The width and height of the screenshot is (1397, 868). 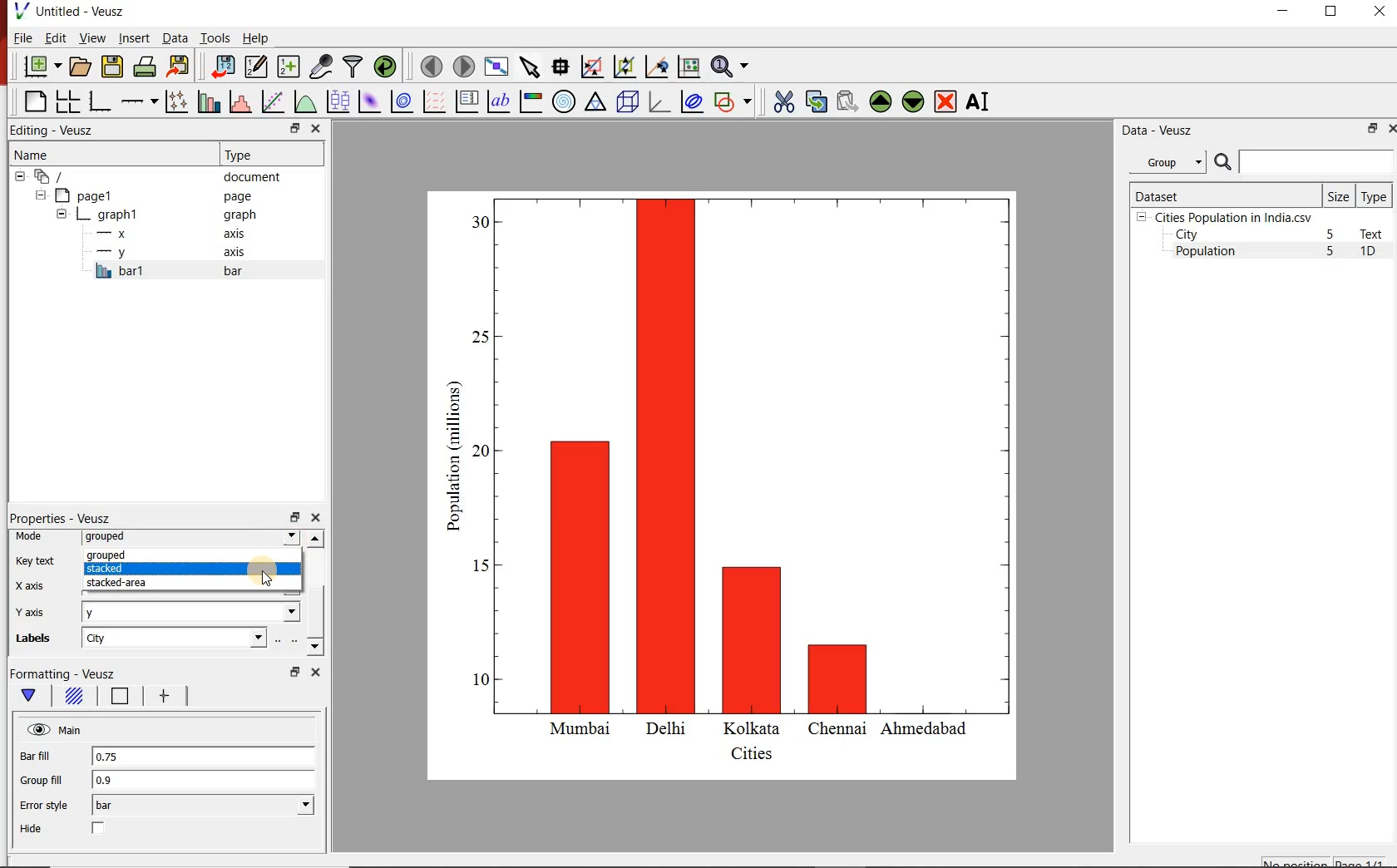 I want to click on close, so click(x=313, y=672).